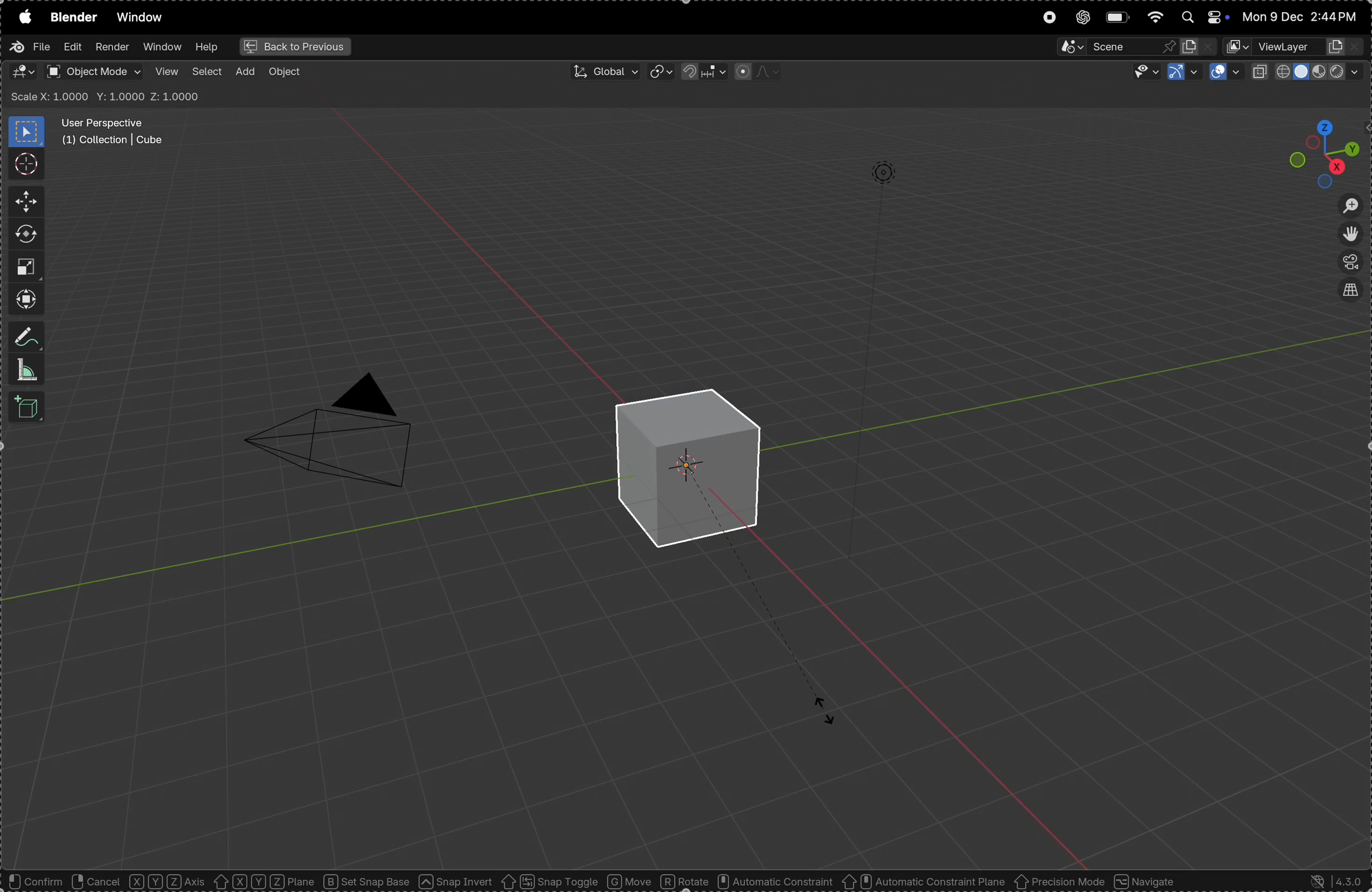 The width and height of the screenshot is (1372, 892). What do you see at coordinates (1155, 17) in the screenshot?
I see `wifi` at bounding box center [1155, 17].